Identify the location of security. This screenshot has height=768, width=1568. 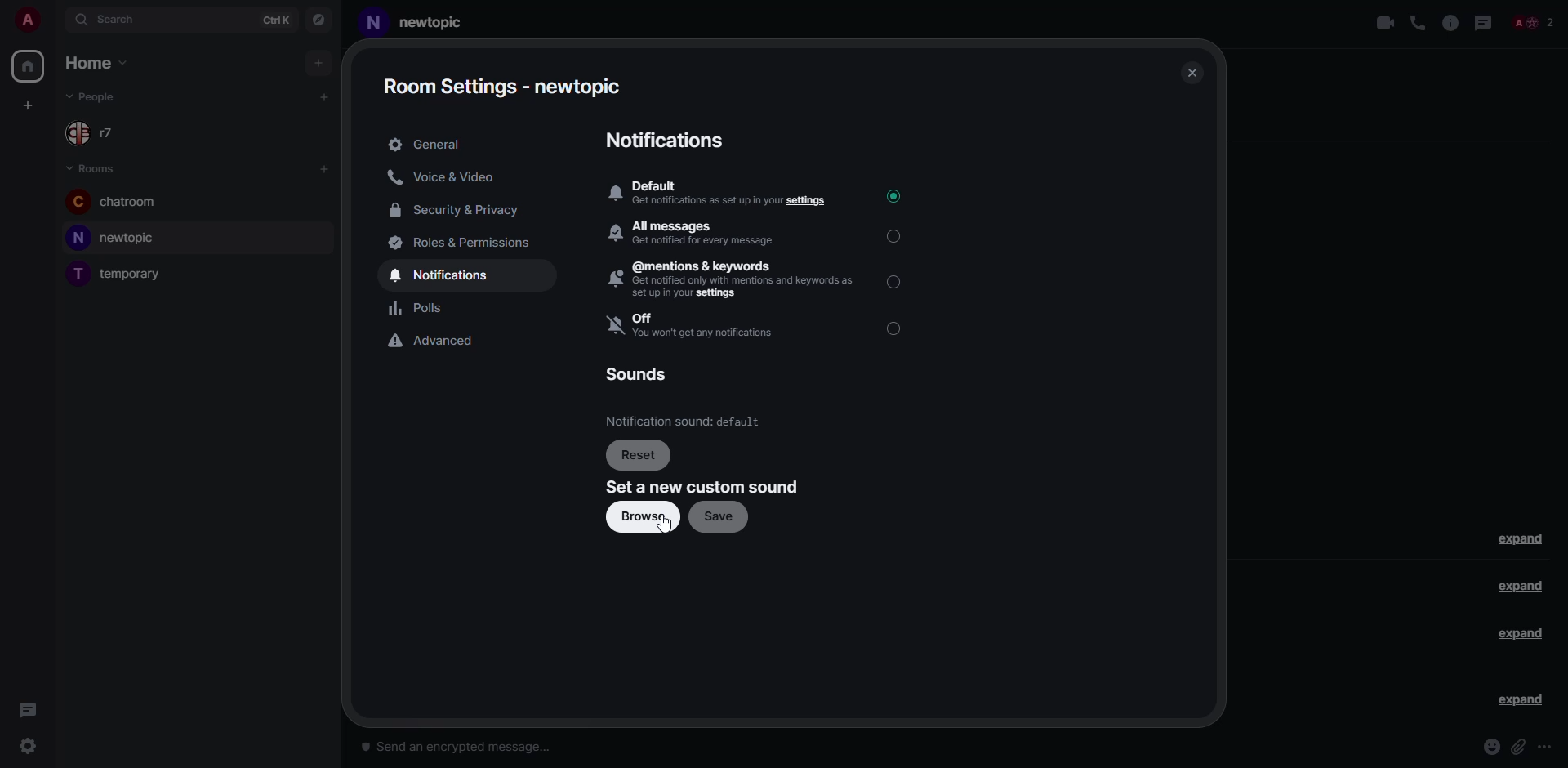
(457, 209).